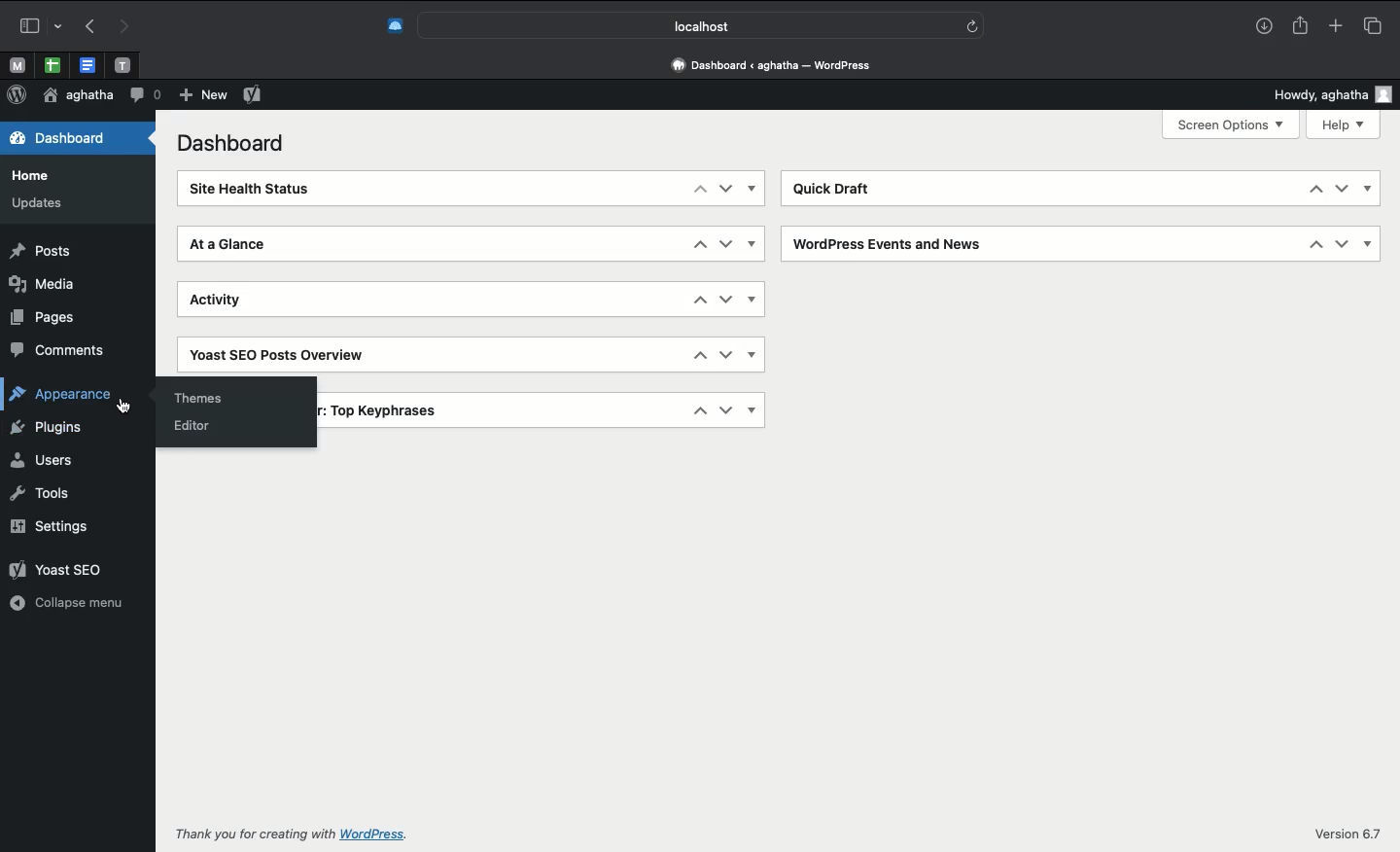 The image size is (1400, 852). What do you see at coordinates (752, 243) in the screenshot?
I see `Show` at bounding box center [752, 243].